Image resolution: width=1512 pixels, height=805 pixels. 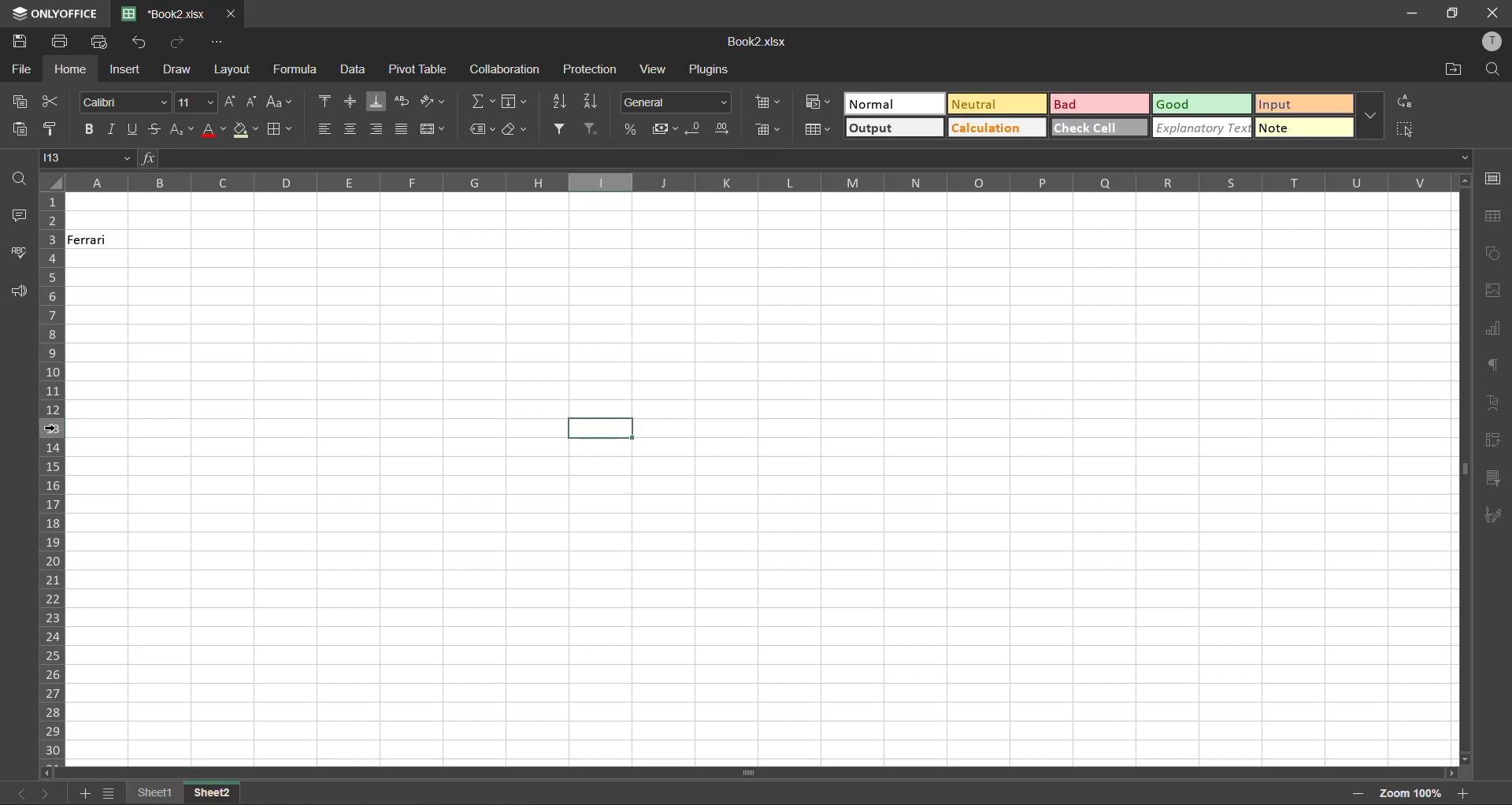 I want to click on named ranges, so click(x=482, y=128).